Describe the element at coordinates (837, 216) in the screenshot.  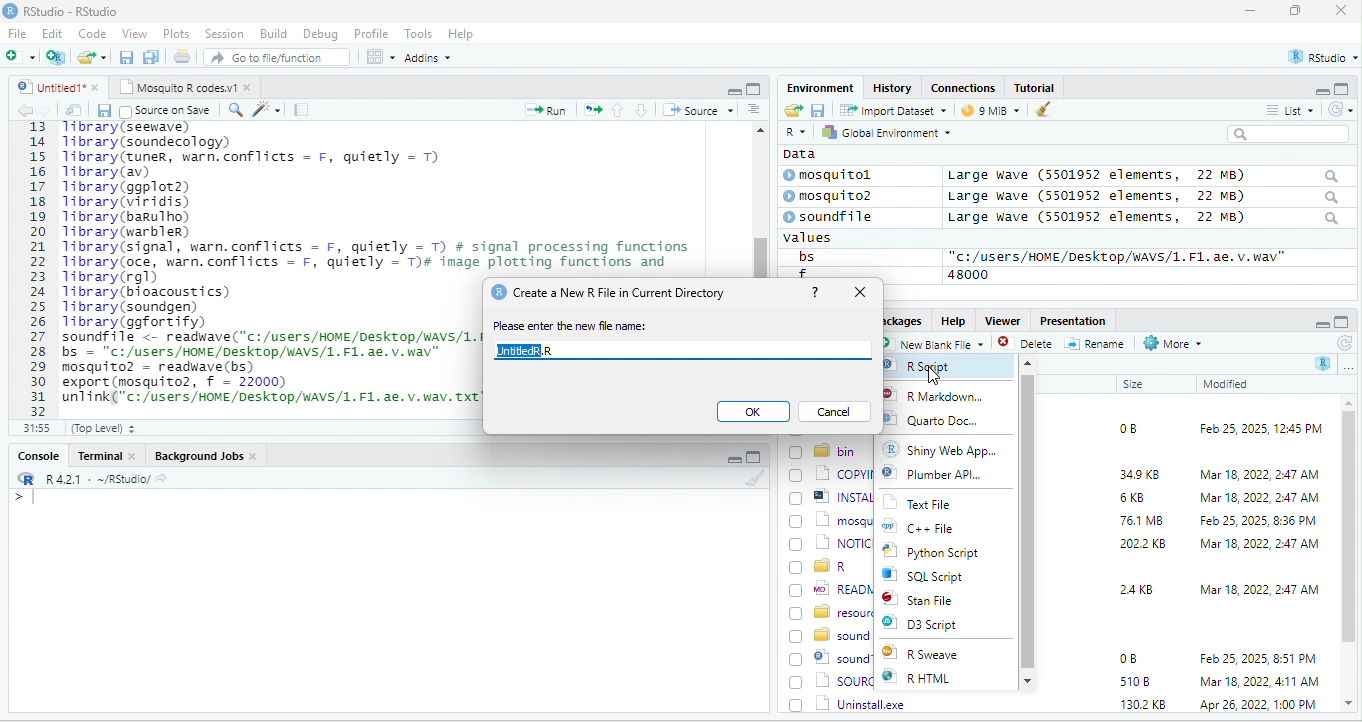
I see `© soundfile` at that location.